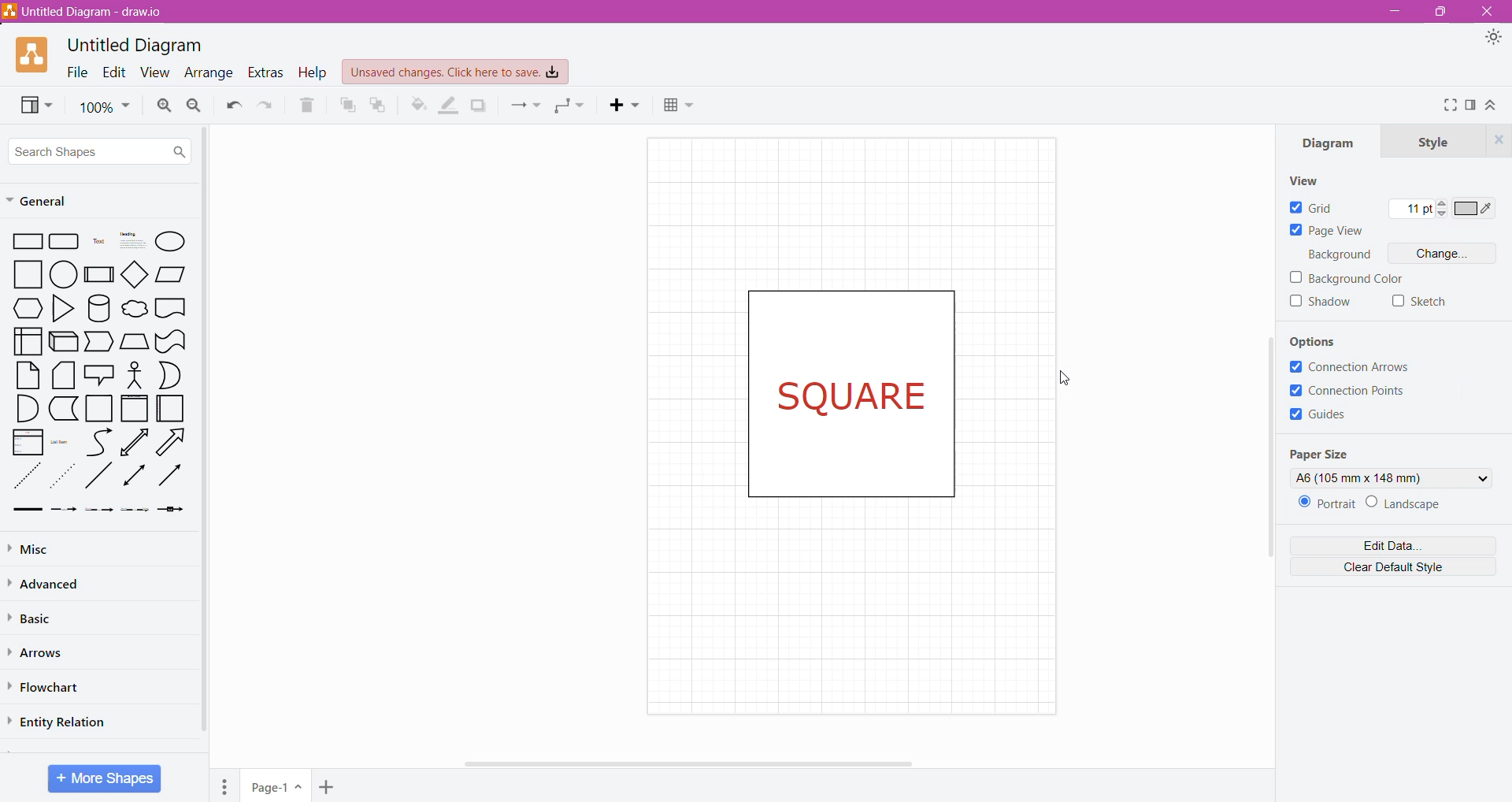 This screenshot has height=802, width=1512. What do you see at coordinates (24, 240) in the screenshot?
I see `Rectangle` at bounding box center [24, 240].